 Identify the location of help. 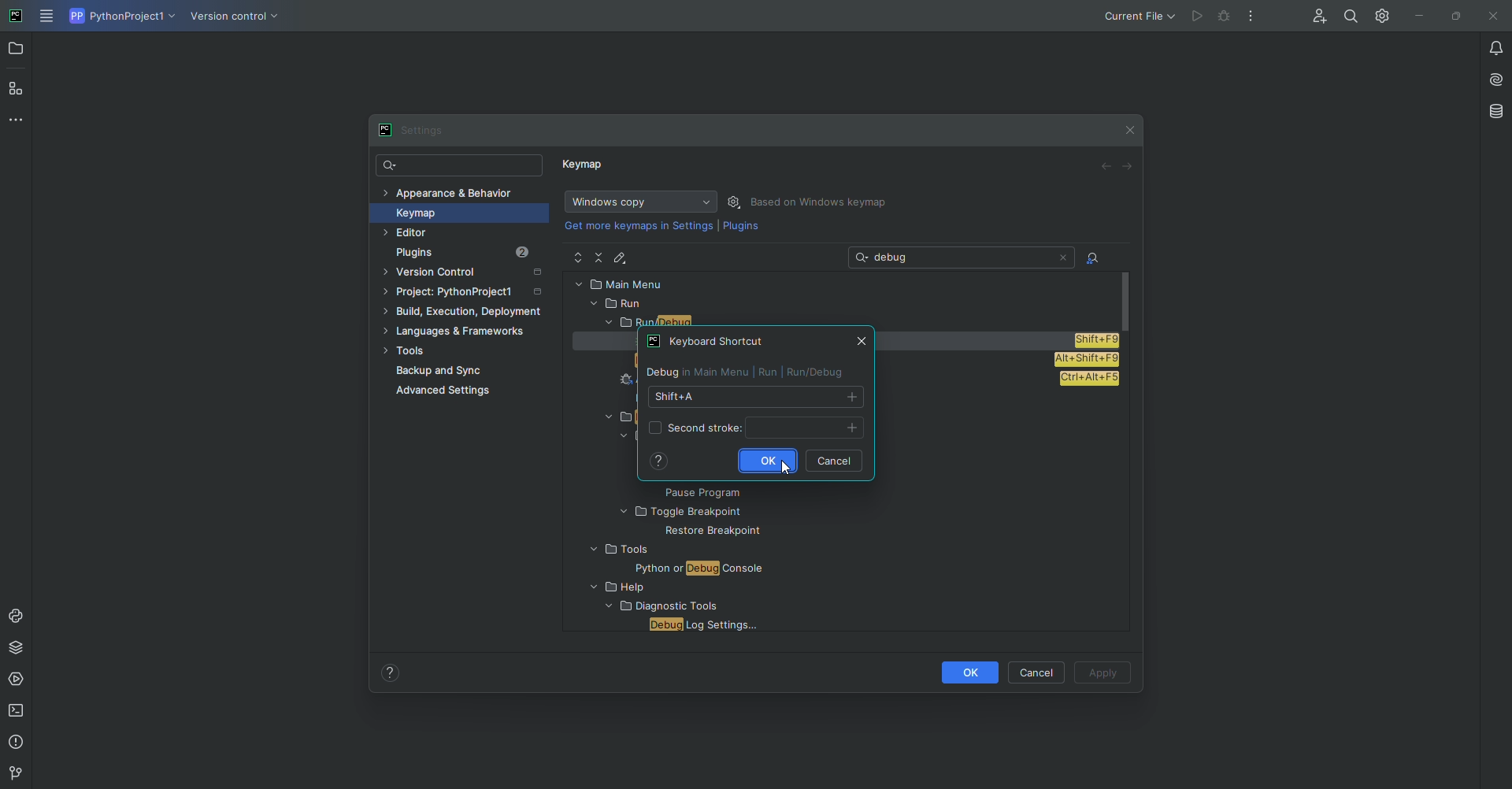
(659, 461).